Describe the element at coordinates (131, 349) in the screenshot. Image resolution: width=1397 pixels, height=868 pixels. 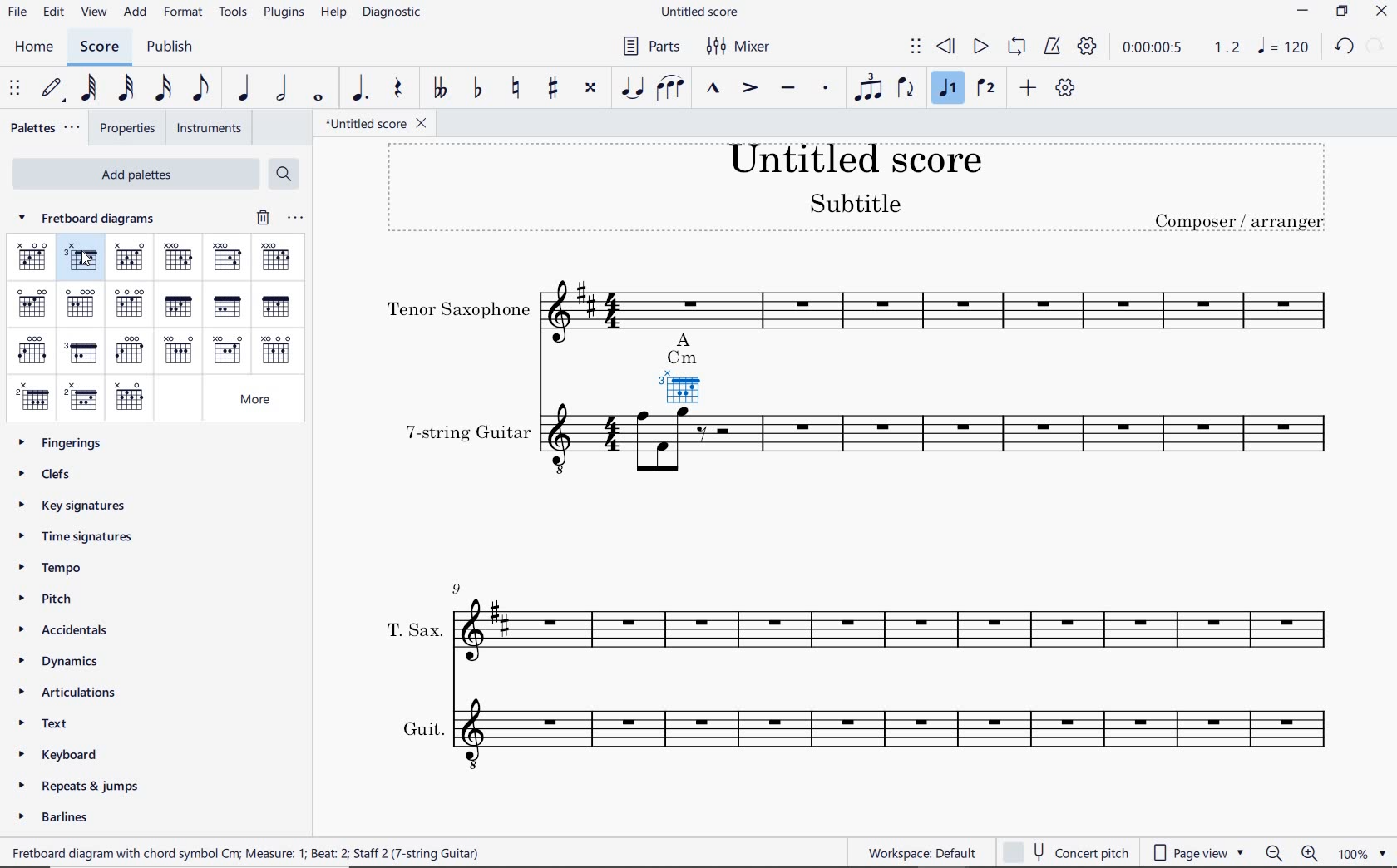
I see `G7` at that location.